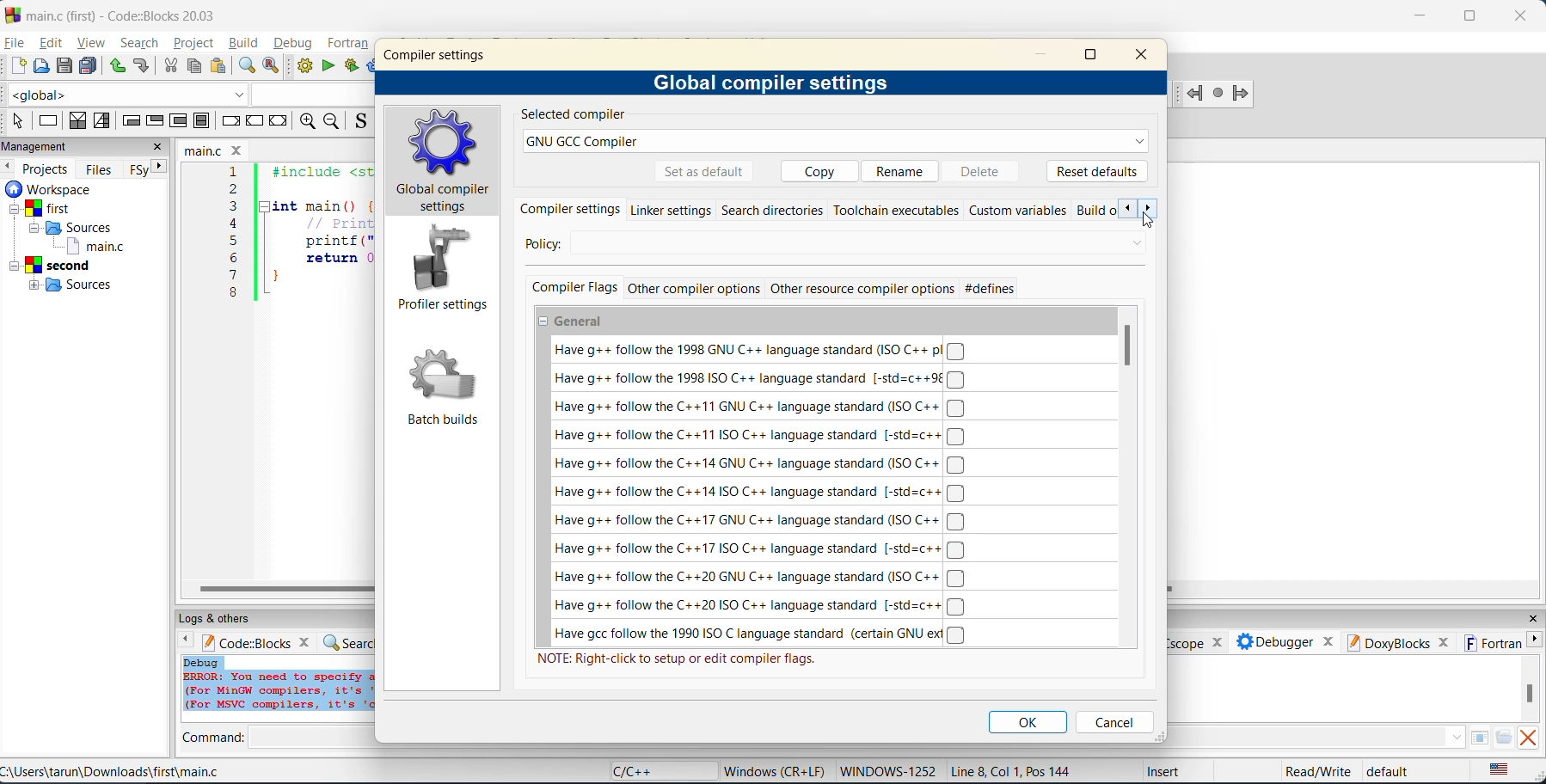 The width and height of the screenshot is (1546, 784). Describe the element at coordinates (759, 465) in the screenshot. I see `Have g++ follow the C++14 GNU C++ language standard (ISO C++` at that location.